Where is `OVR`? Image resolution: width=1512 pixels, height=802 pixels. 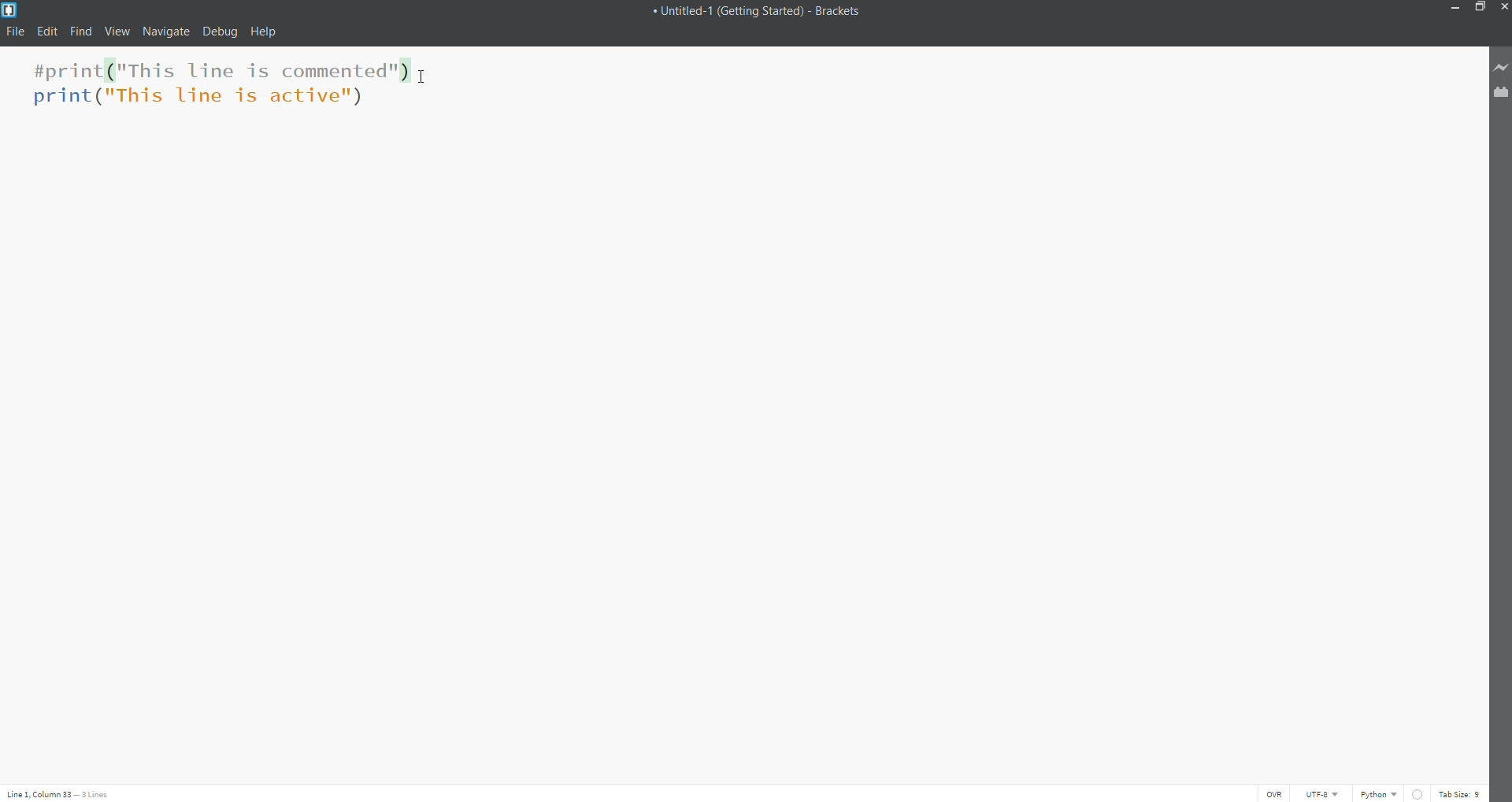 OVR is located at coordinates (1276, 793).